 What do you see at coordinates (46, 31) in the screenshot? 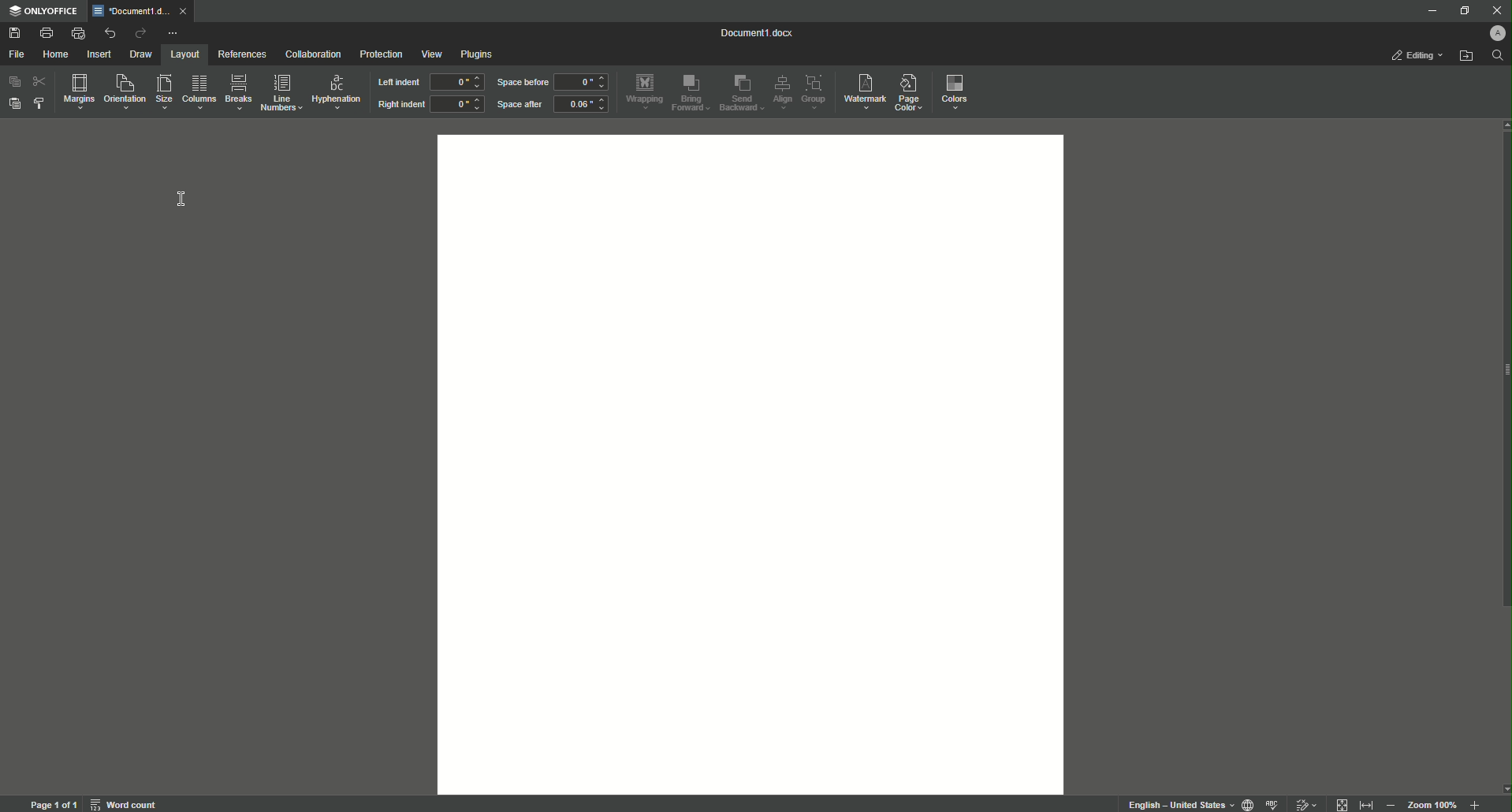
I see `Print` at bounding box center [46, 31].